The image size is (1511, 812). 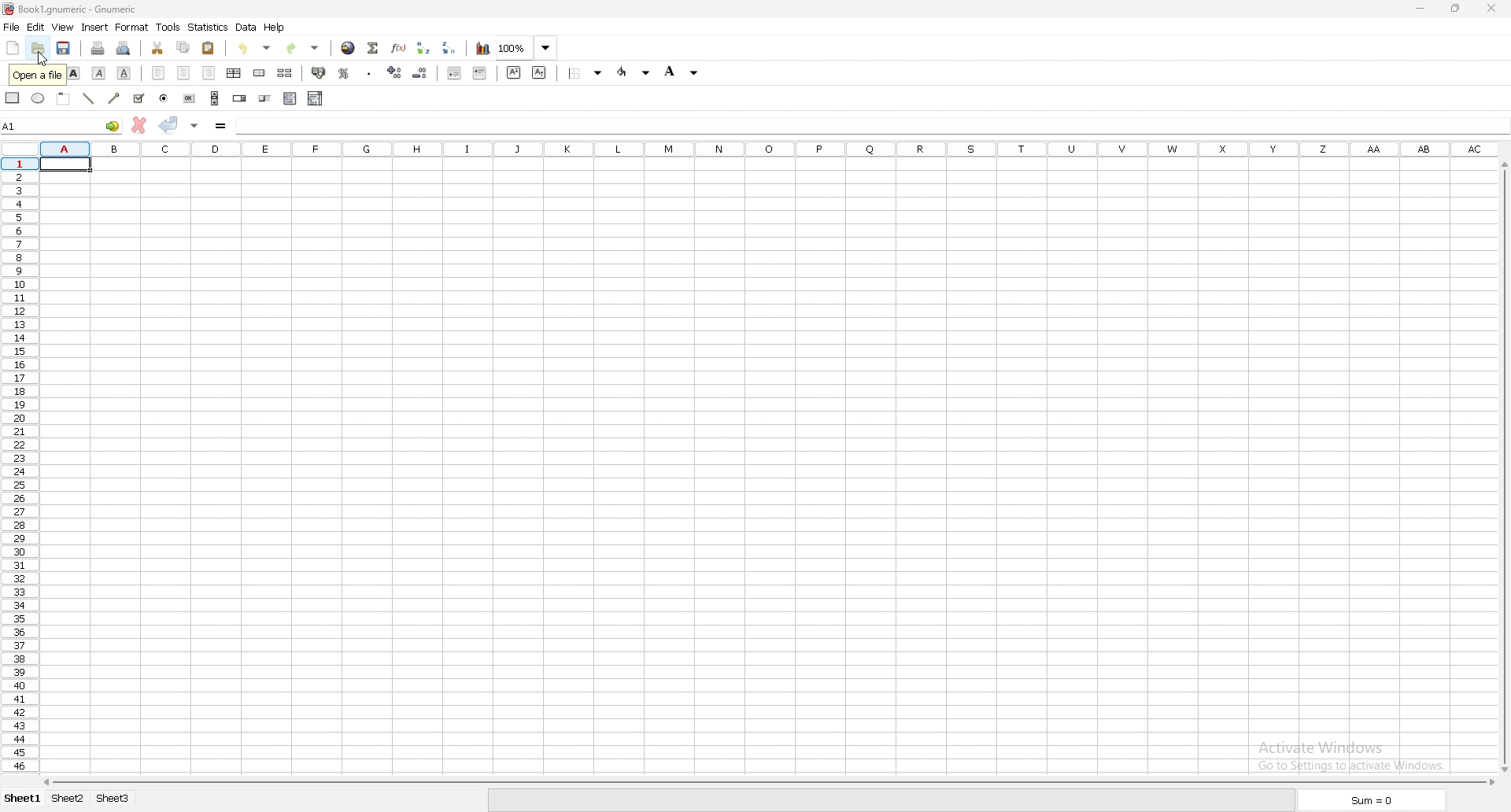 I want to click on percentage, so click(x=344, y=72).